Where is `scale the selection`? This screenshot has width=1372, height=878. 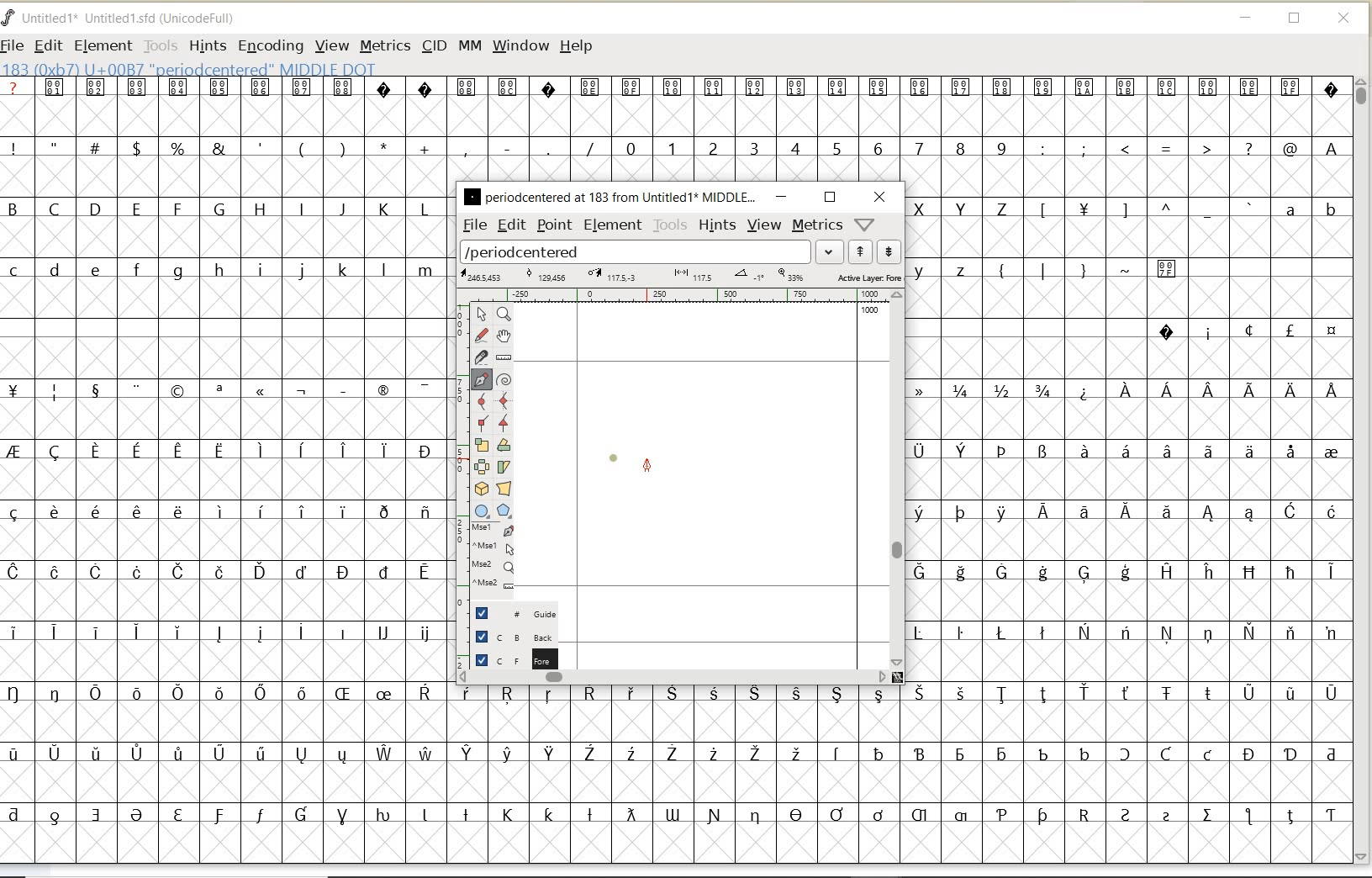 scale the selection is located at coordinates (480, 446).